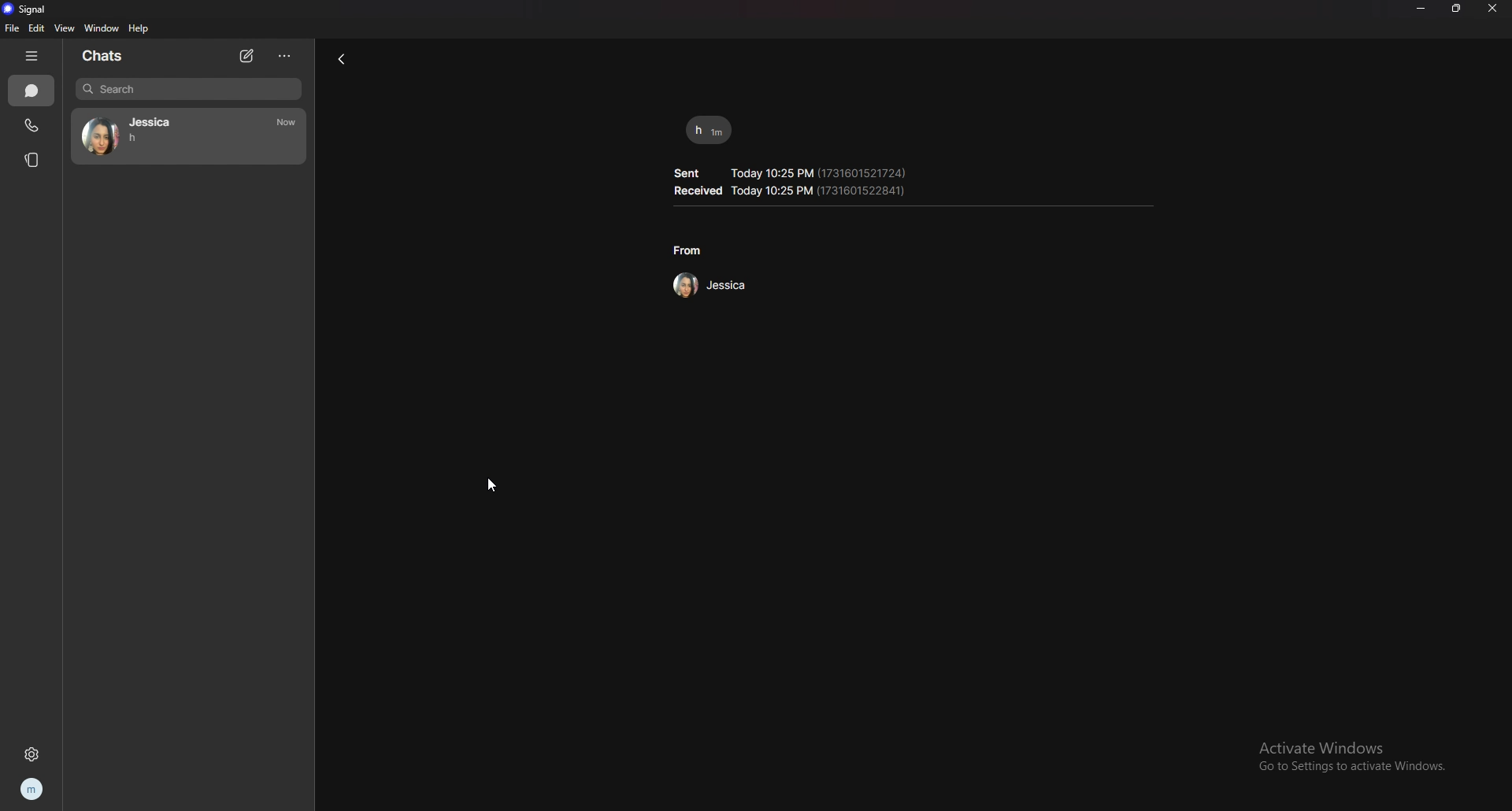 This screenshot has width=1512, height=811. I want to click on settings, so click(34, 754).